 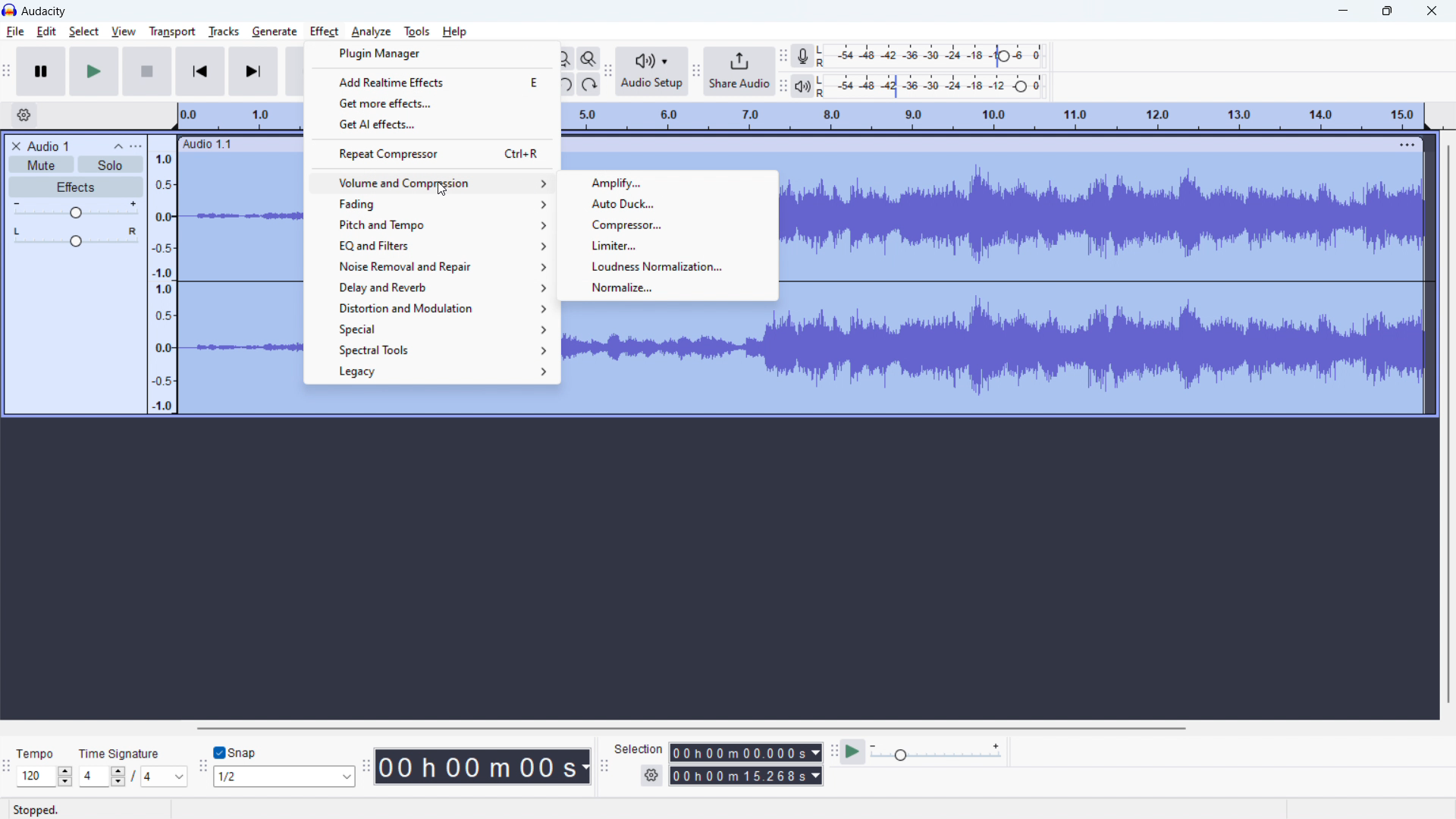 What do you see at coordinates (430, 183) in the screenshot?
I see `volume and compression` at bounding box center [430, 183].